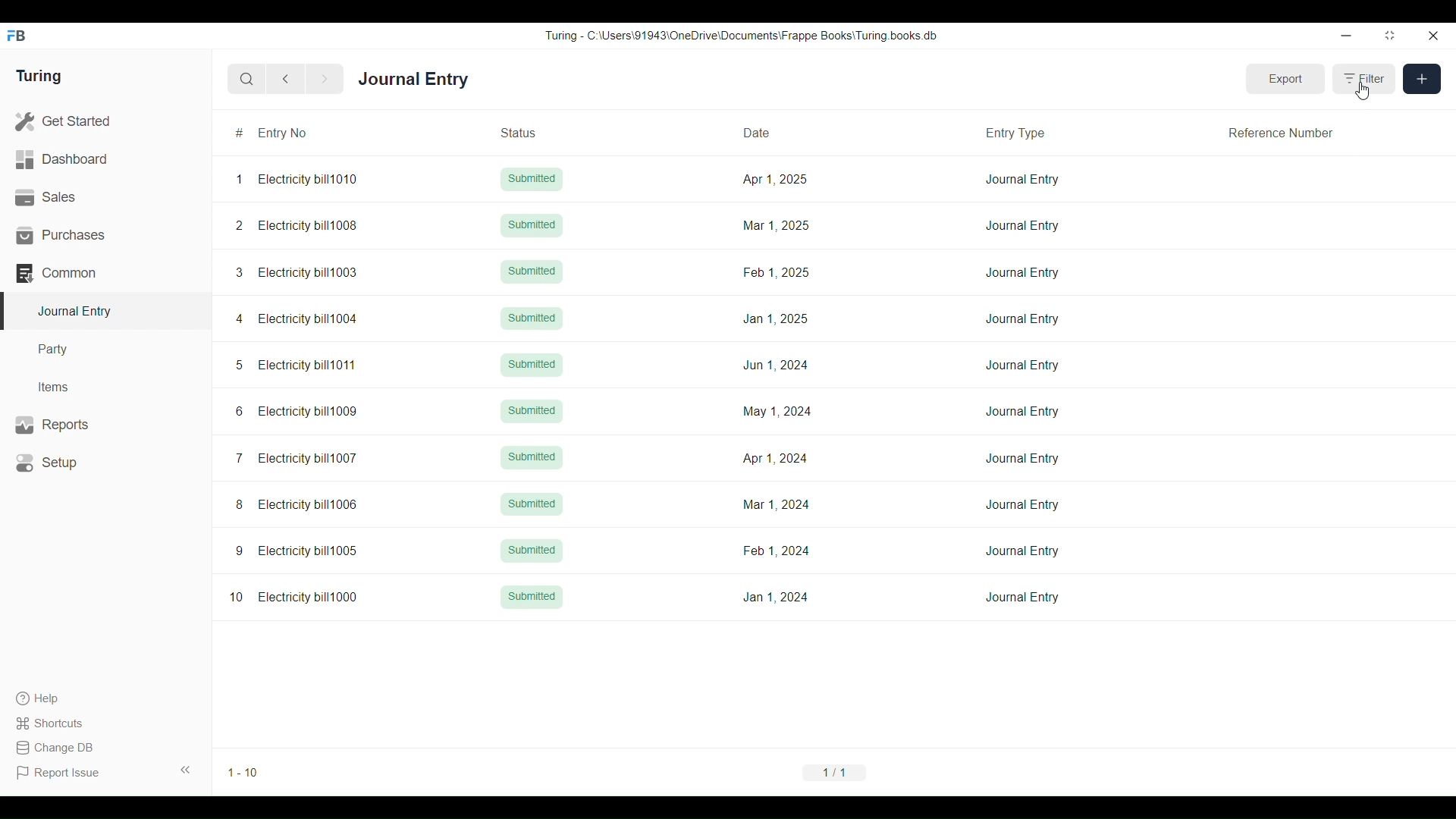  What do you see at coordinates (532, 179) in the screenshot?
I see `Submitted` at bounding box center [532, 179].